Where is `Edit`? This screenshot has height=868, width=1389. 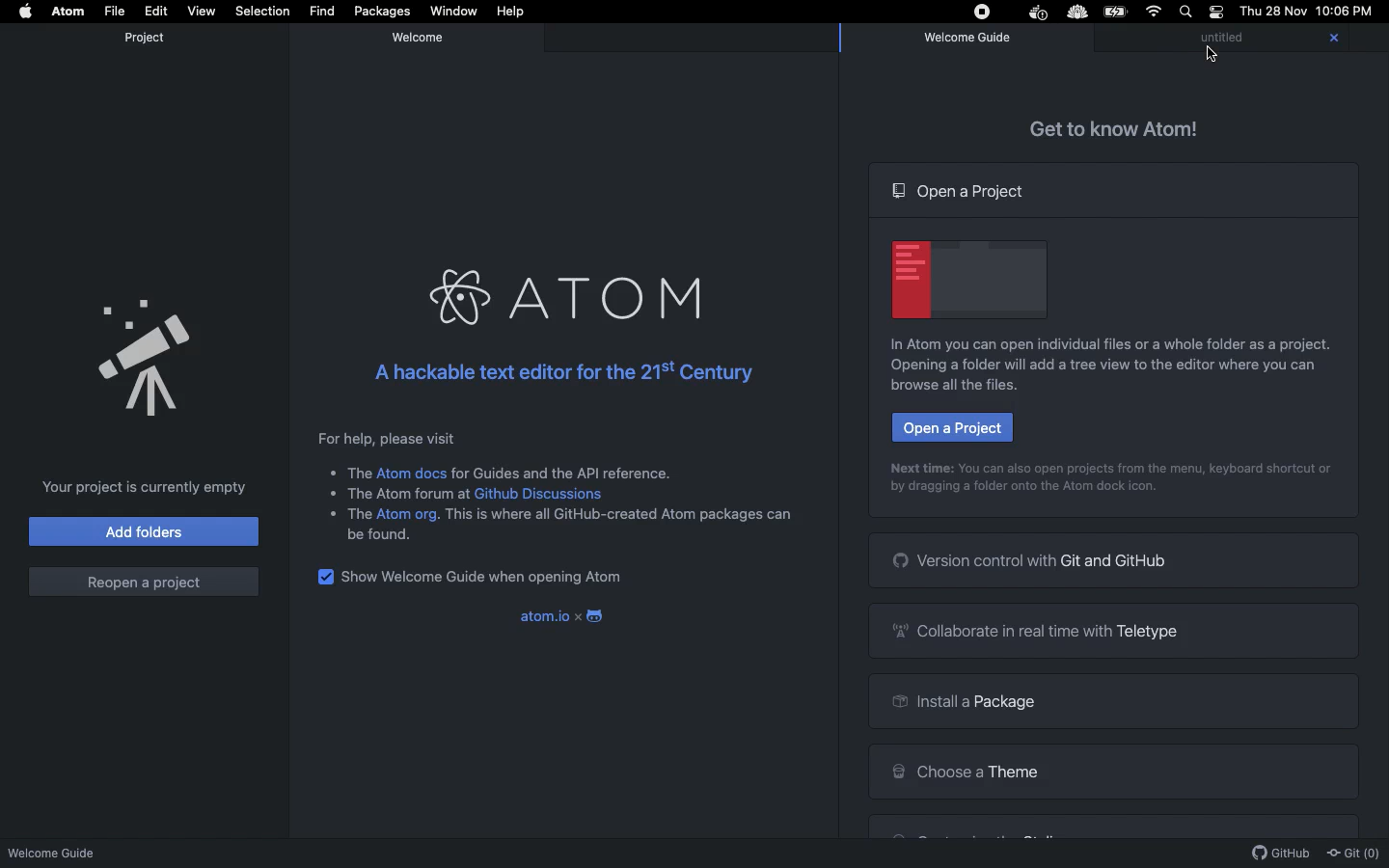
Edit is located at coordinates (155, 11).